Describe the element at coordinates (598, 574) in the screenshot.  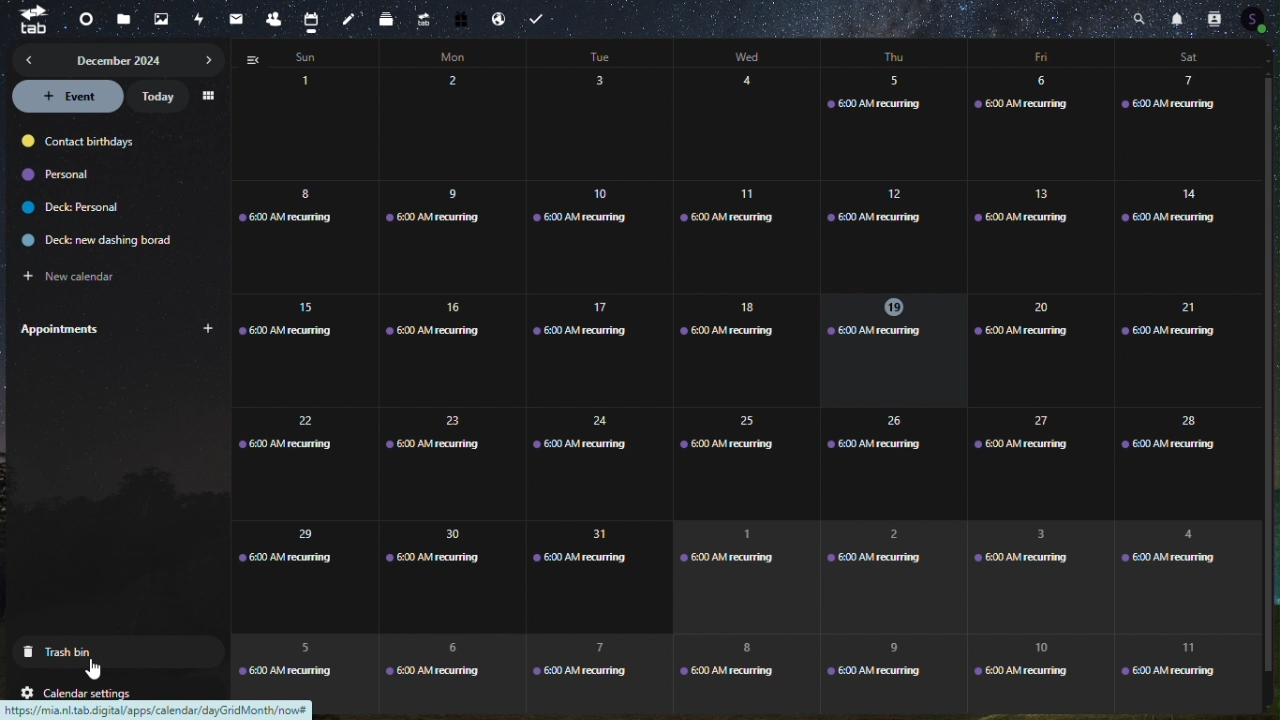
I see `31` at that location.